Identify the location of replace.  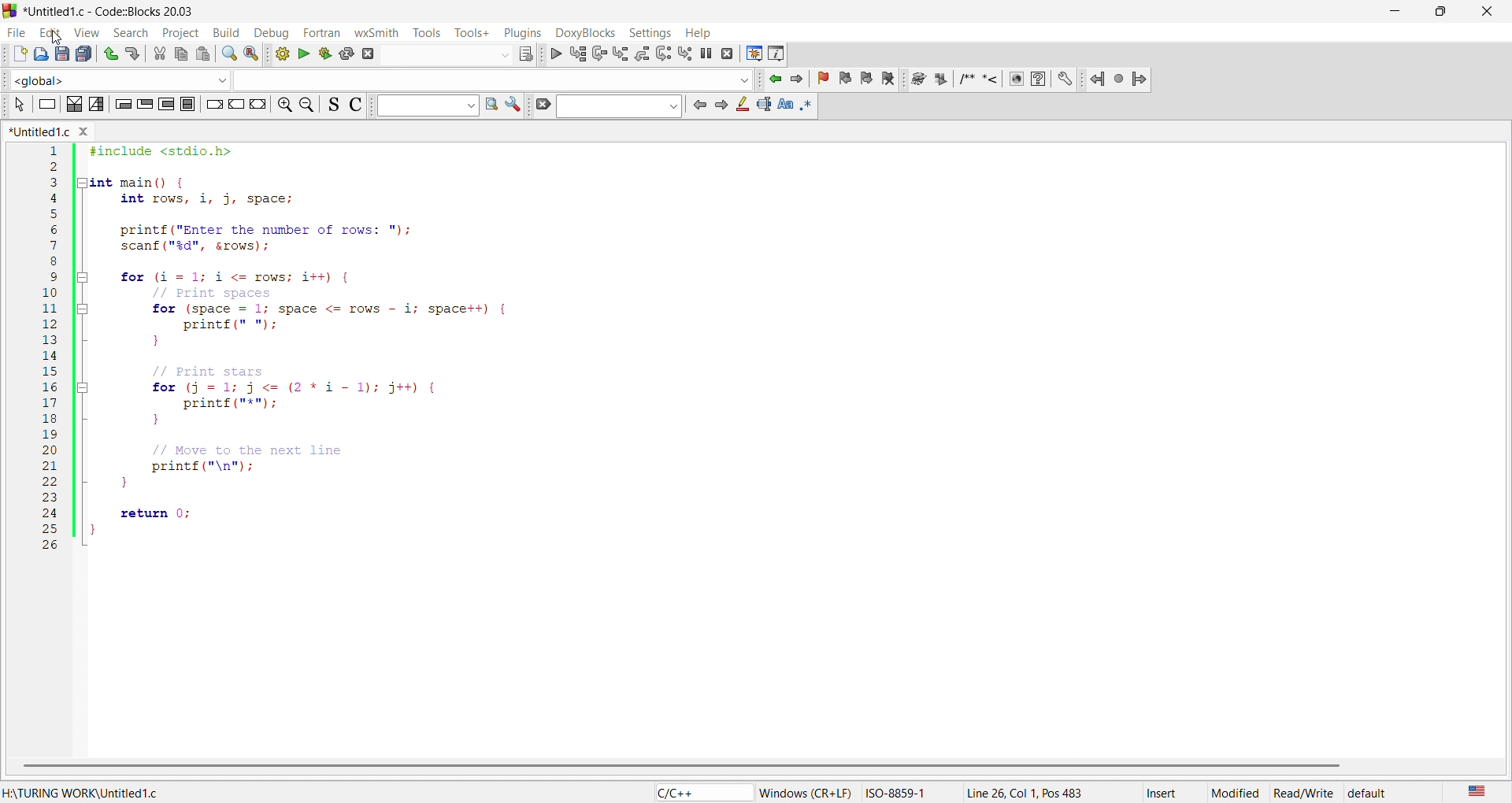
(249, 52).